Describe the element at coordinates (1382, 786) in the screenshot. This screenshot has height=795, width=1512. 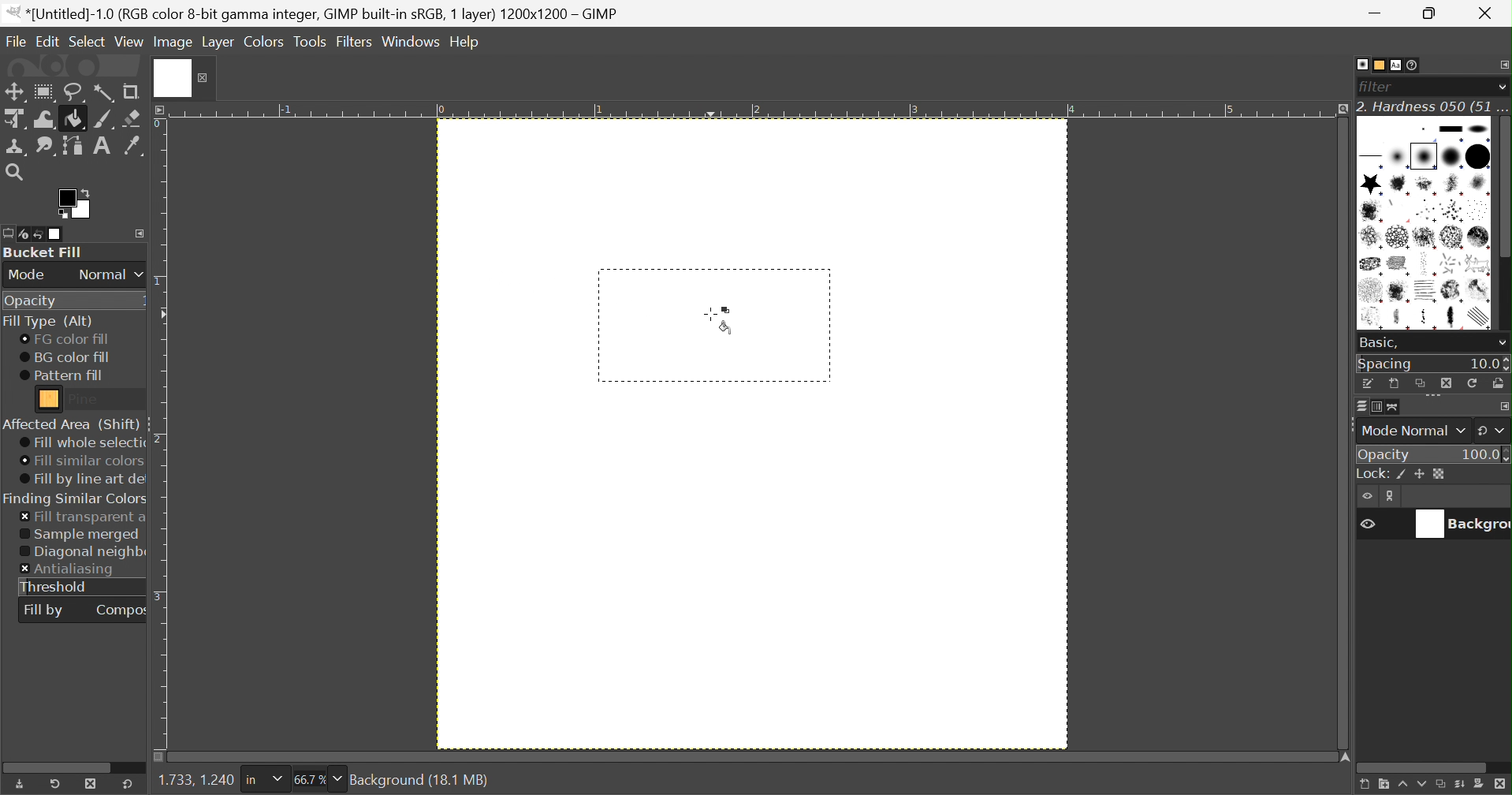
I see `Create a new layer group and add it to the image` at that location.